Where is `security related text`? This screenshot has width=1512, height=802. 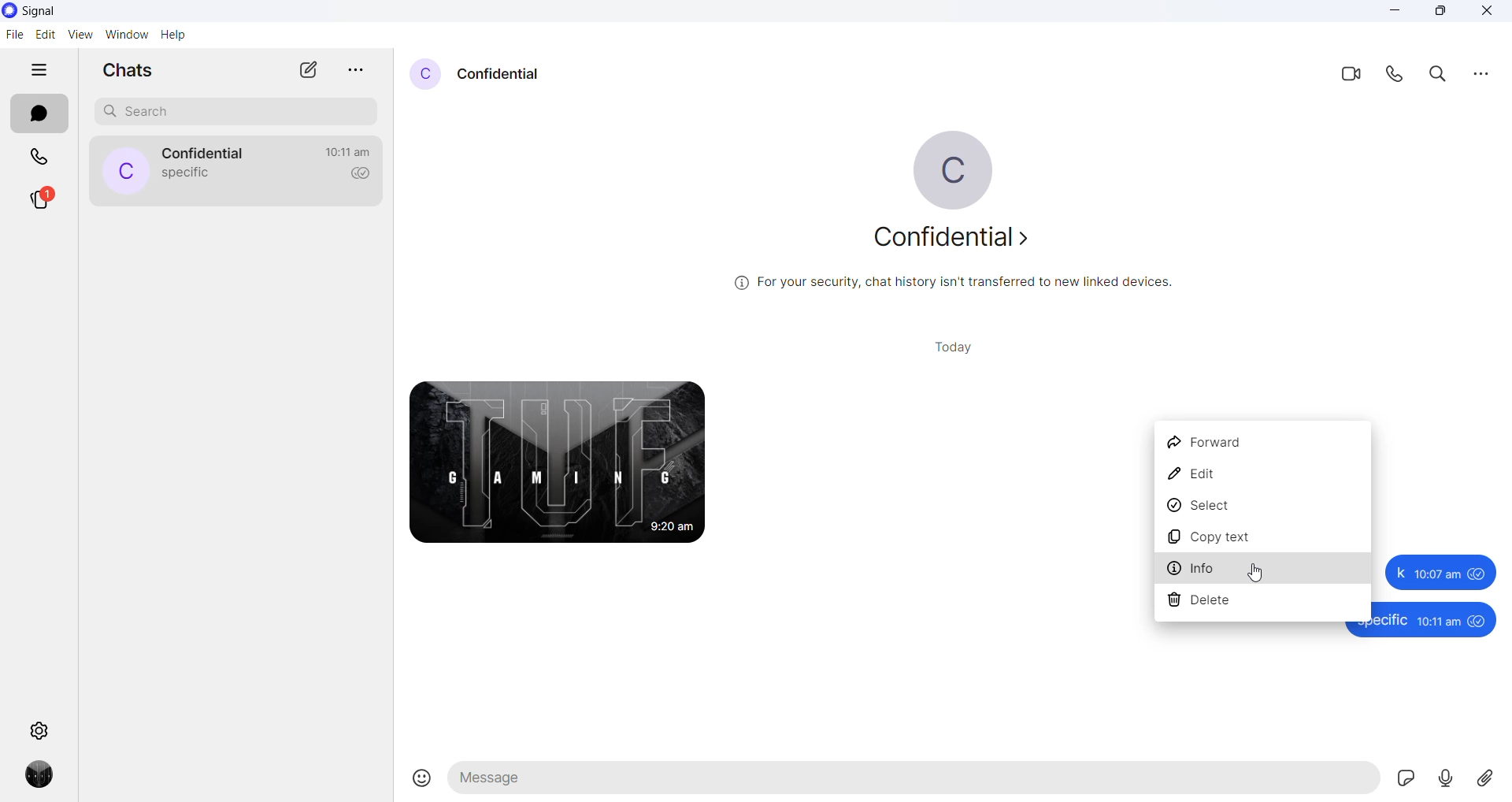 security related text is located at coordinates (957, 283).